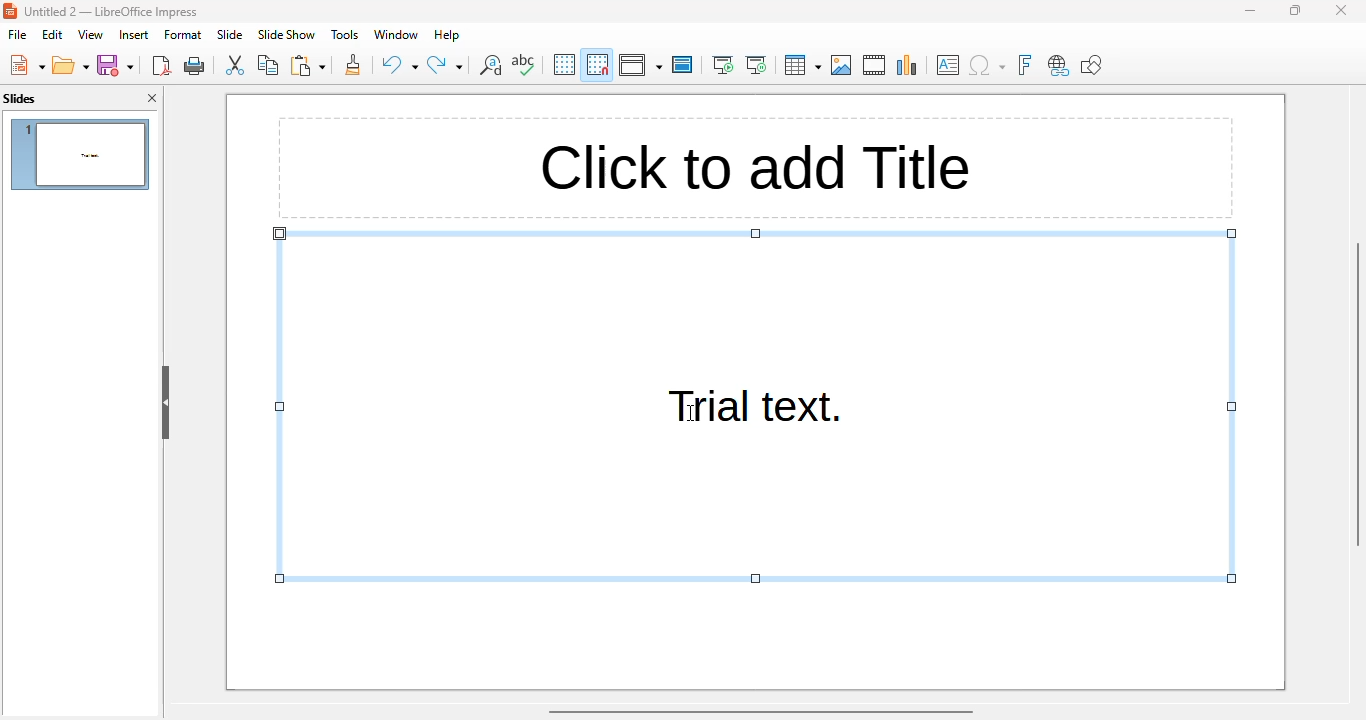 The height and width of the screenshot is (720, 1366). Describe the element at coordinates (724, 65) in the screenshot. I see `start from first slide` at that location.